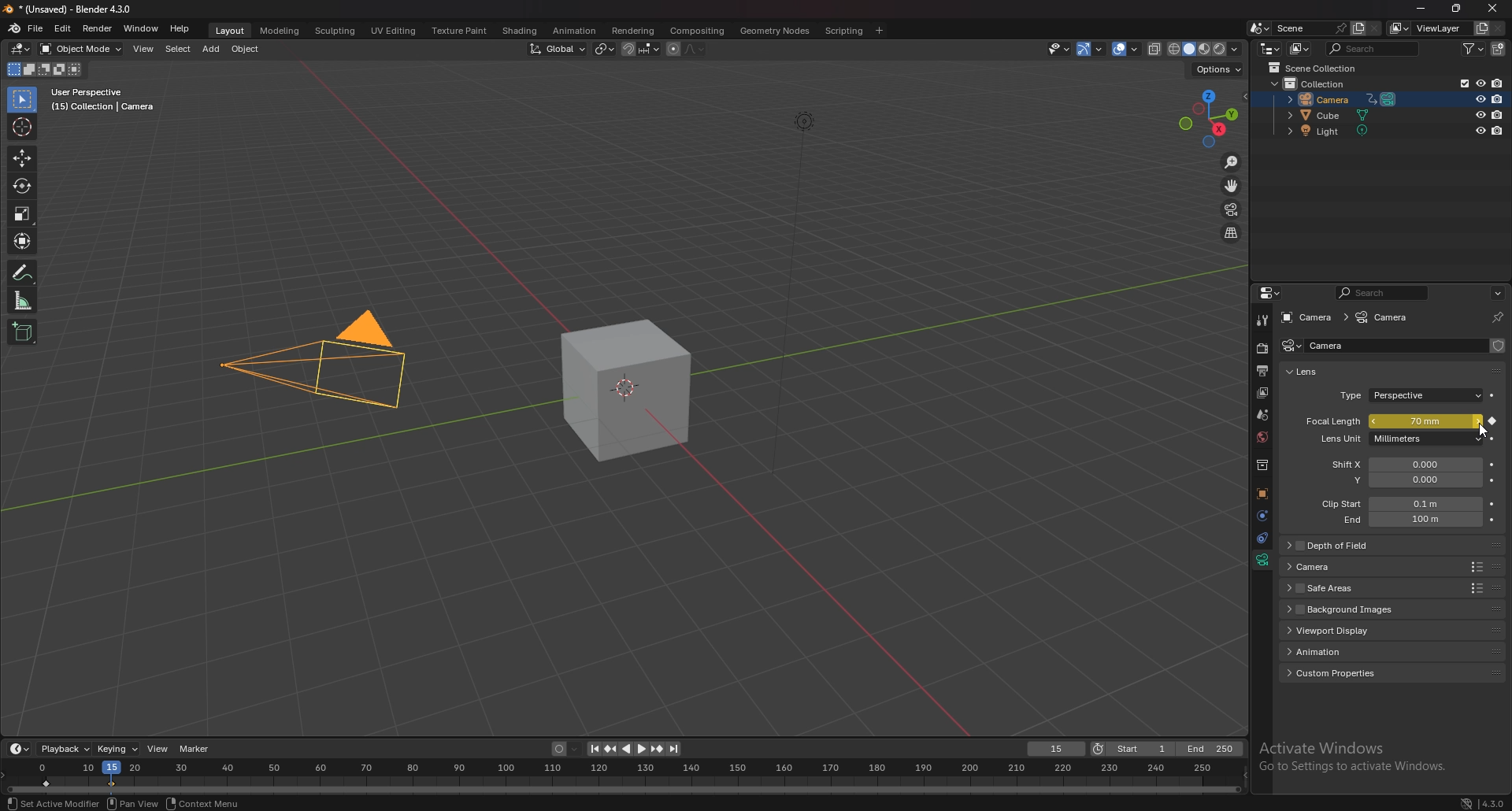 The width and height of the screenshot is (1512, 811). I want to click on data, so click(1262, 560).